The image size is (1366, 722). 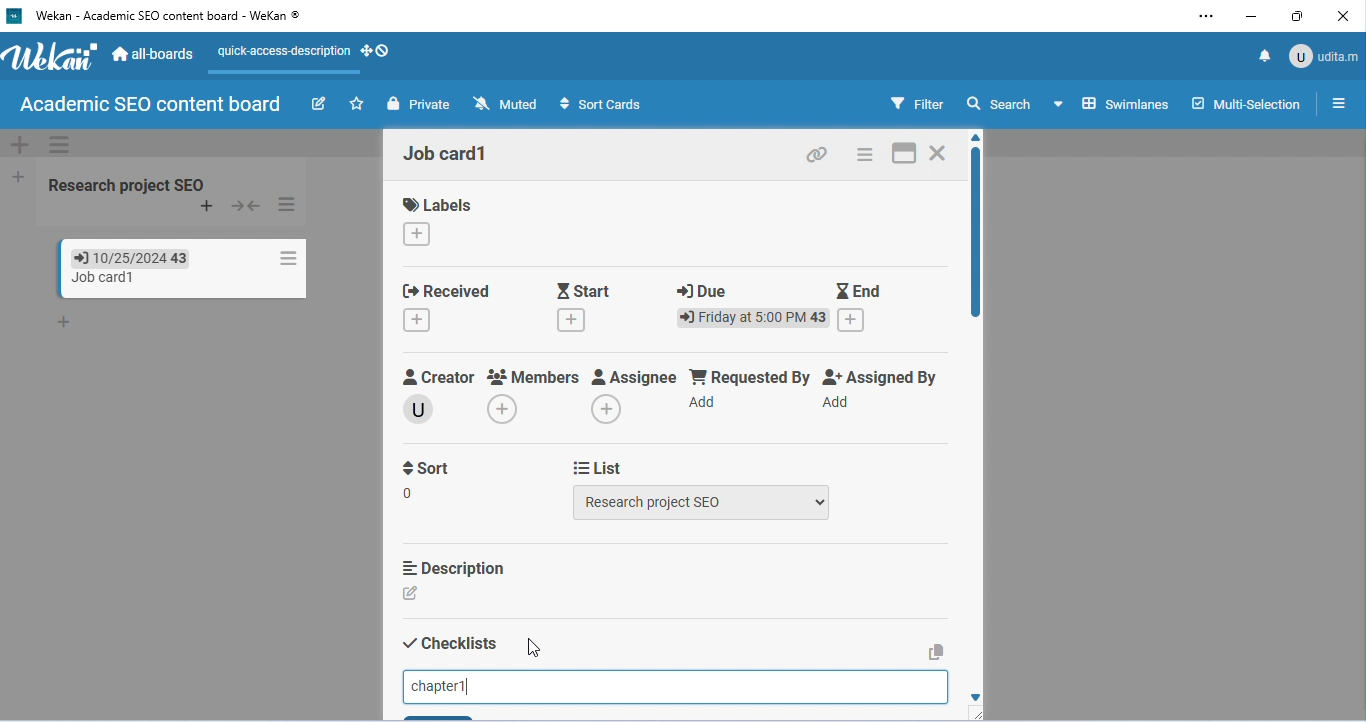 I want to click on close, so click(x=1342, y=17).